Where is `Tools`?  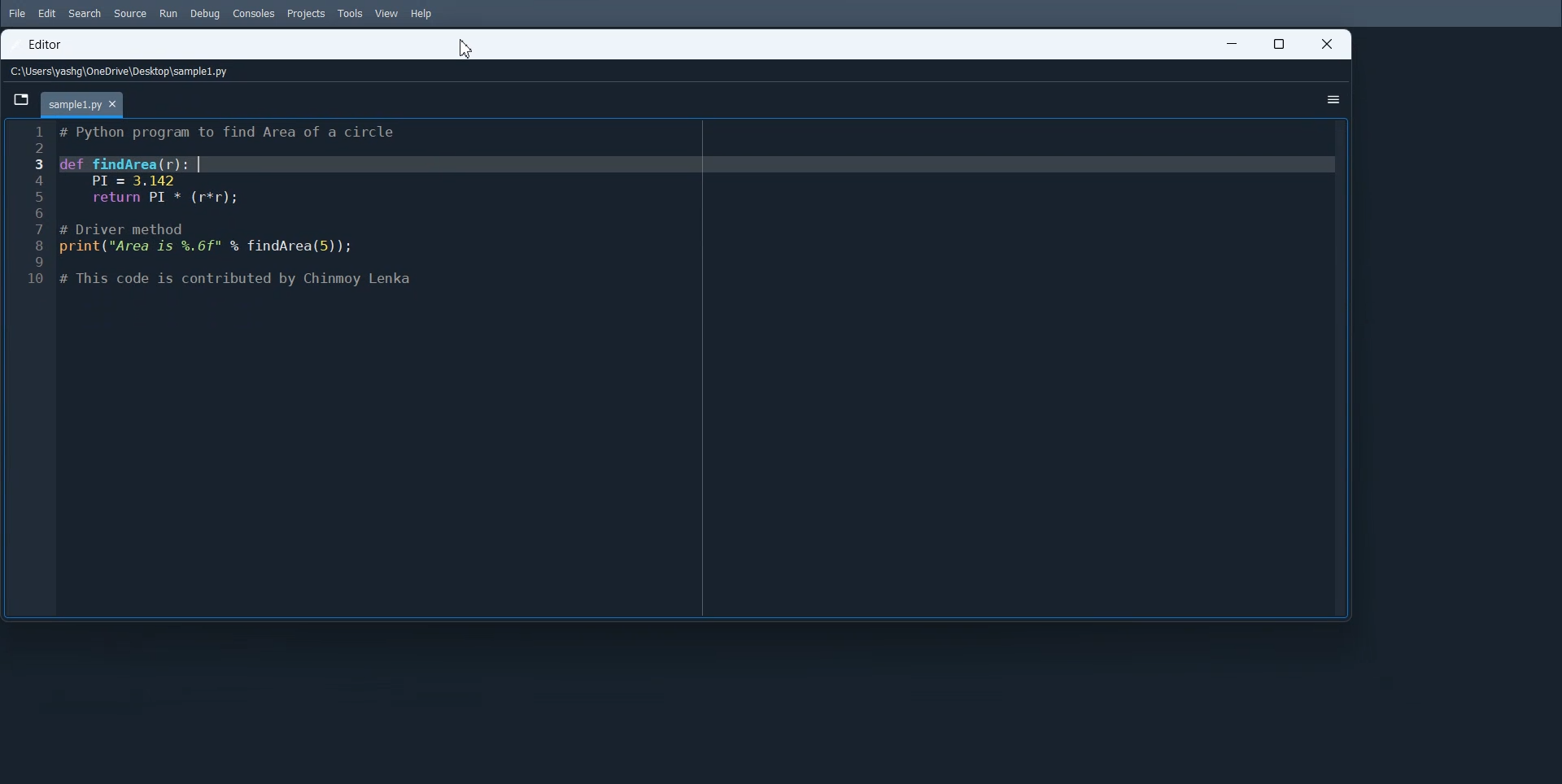
Tools is located at coordinates (351, 13).